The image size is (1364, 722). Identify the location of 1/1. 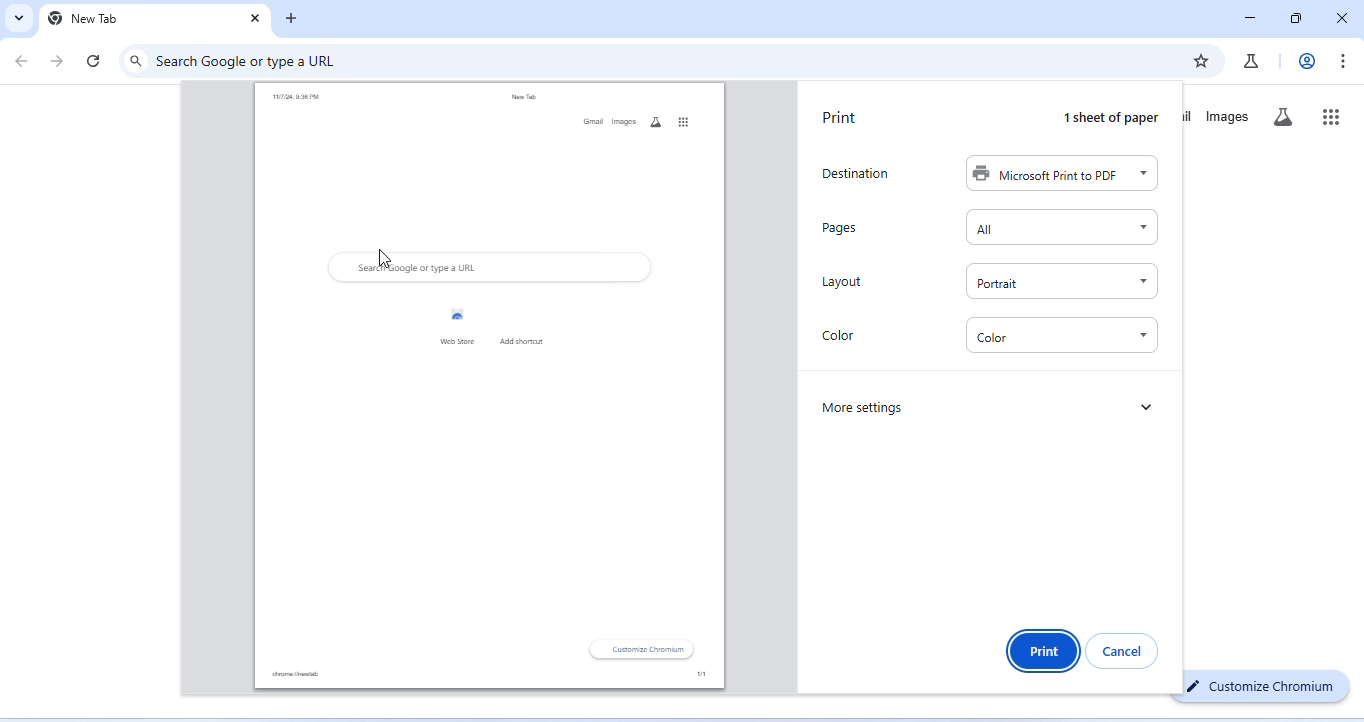
(690, 675).